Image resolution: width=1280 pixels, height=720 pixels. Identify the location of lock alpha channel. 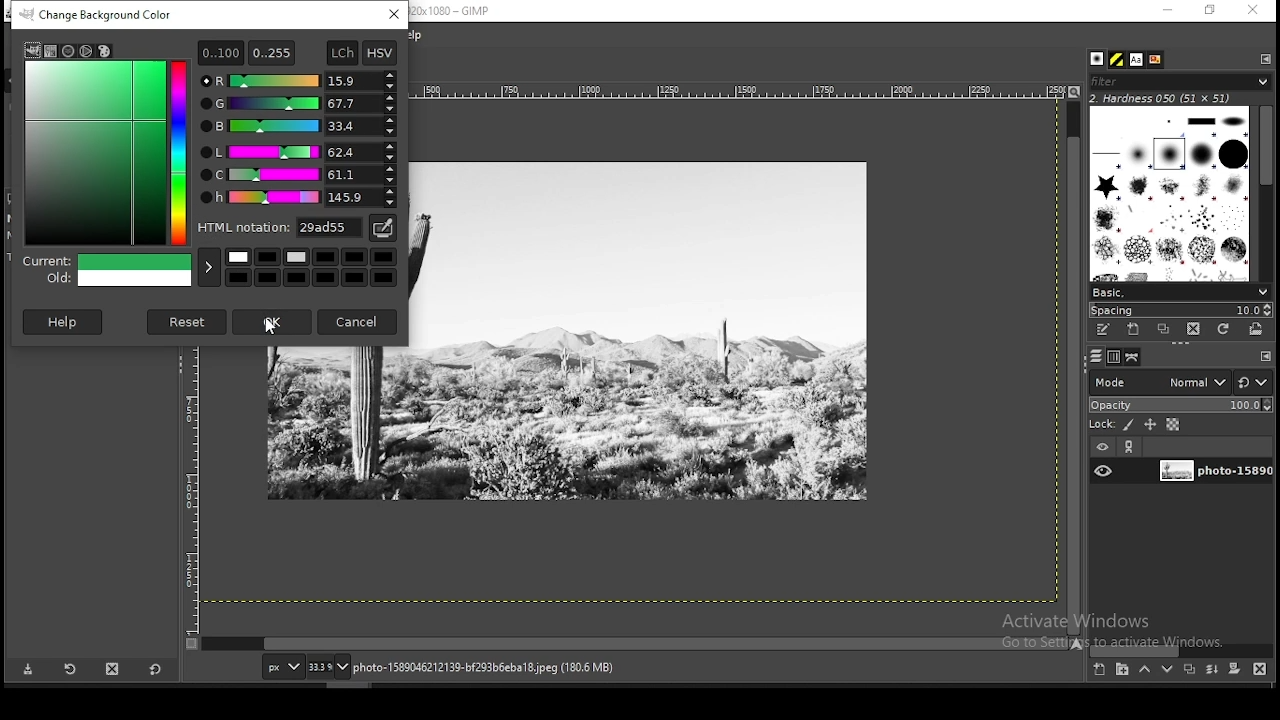
(1174, 424).